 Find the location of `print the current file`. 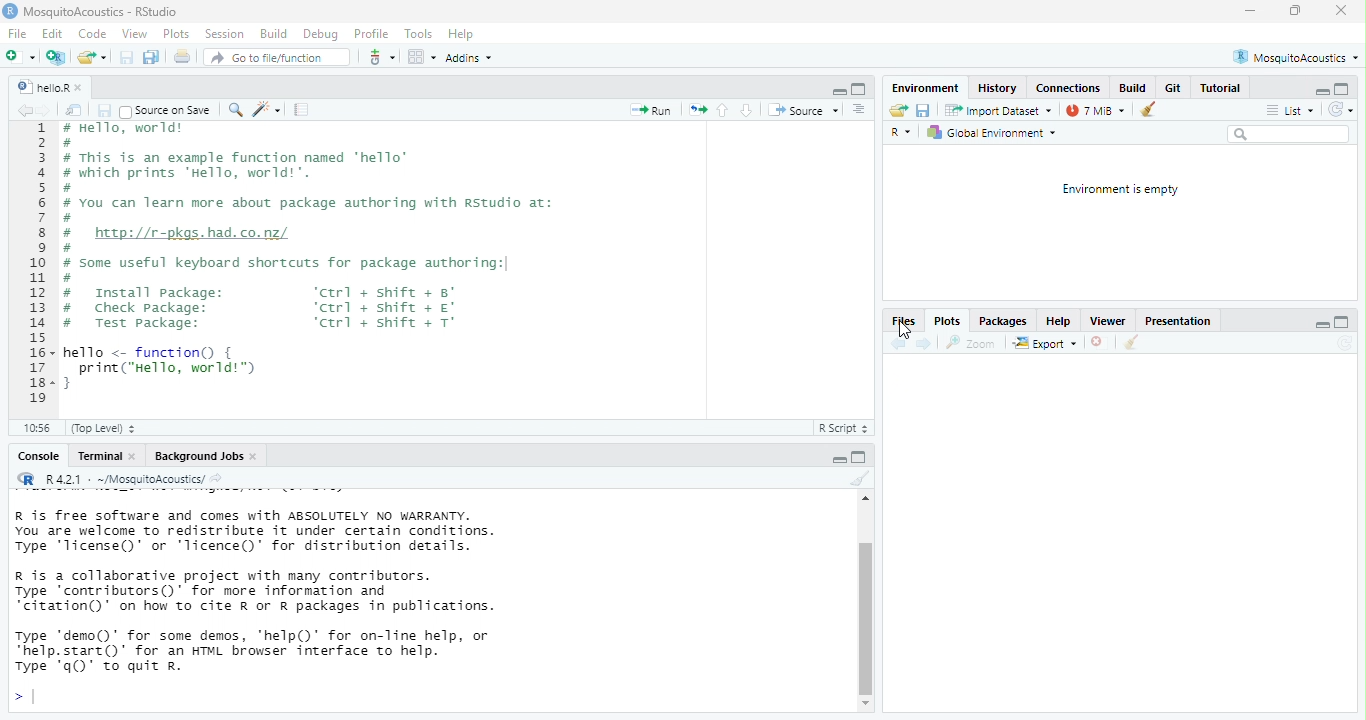

print the current file is located at coordinates (183, 57).